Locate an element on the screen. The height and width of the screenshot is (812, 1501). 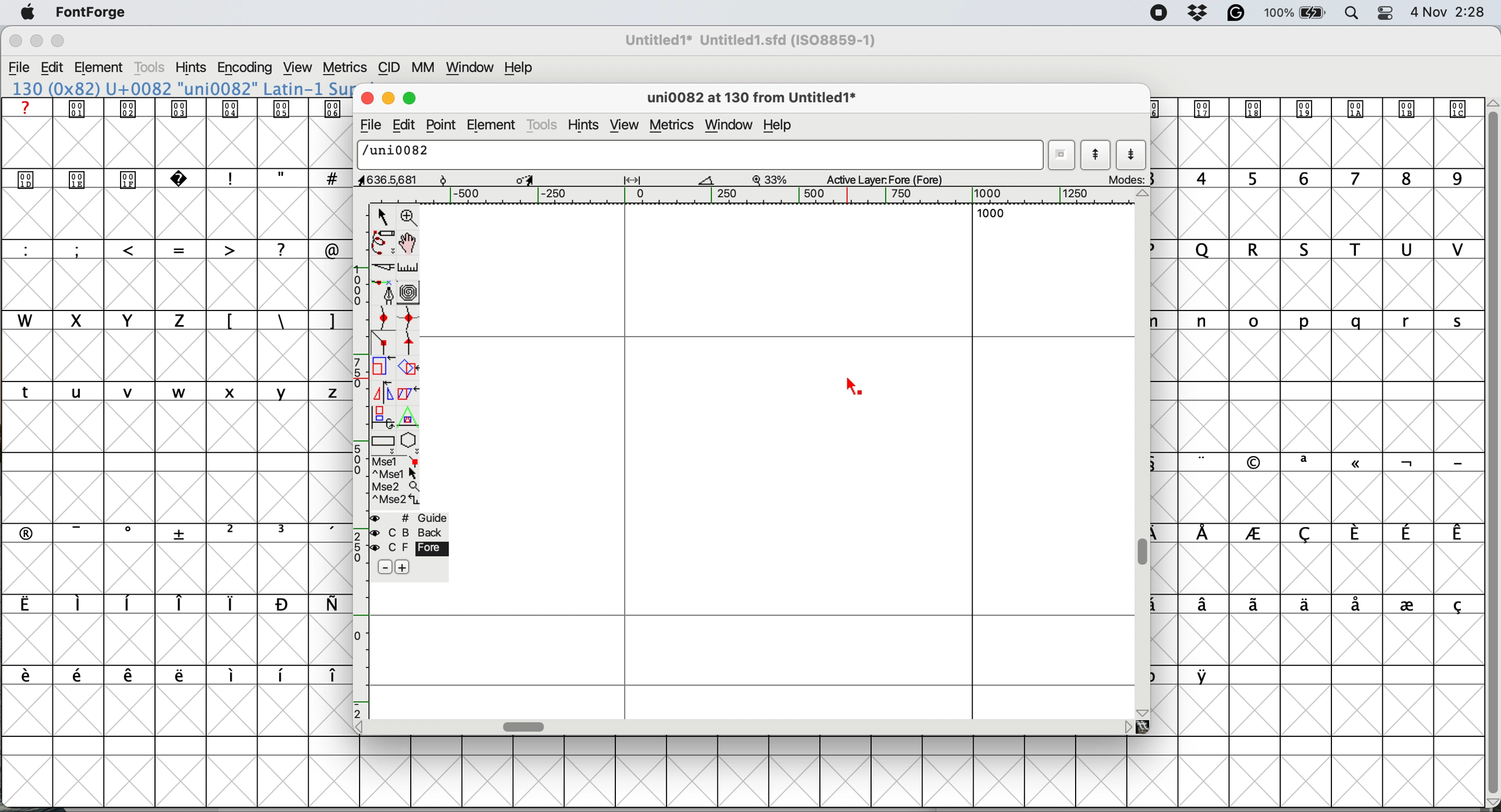
show previous letter is located at coordinates (1098, 154).